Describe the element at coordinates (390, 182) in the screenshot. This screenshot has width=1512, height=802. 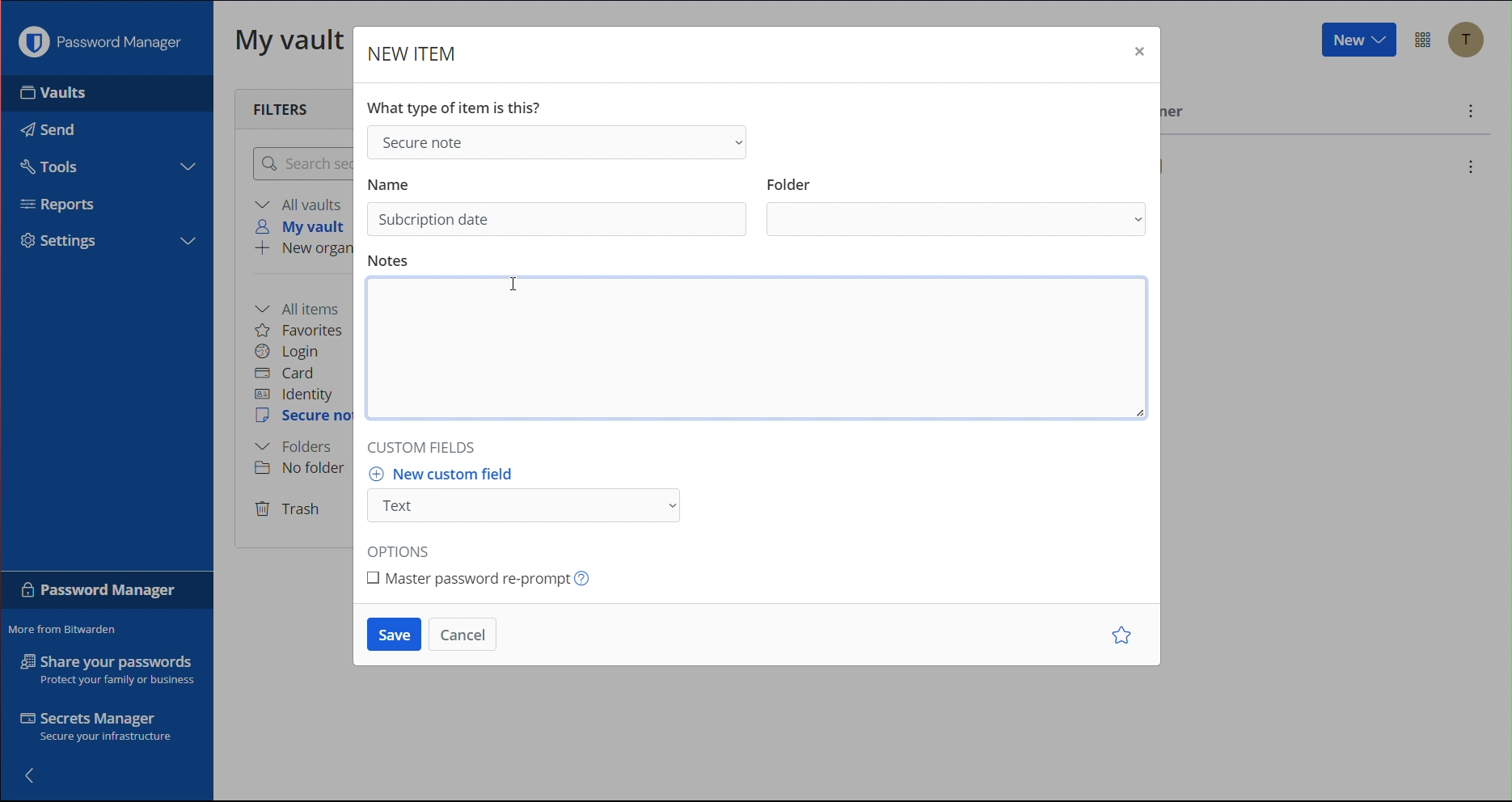
I see `Name` at that location.